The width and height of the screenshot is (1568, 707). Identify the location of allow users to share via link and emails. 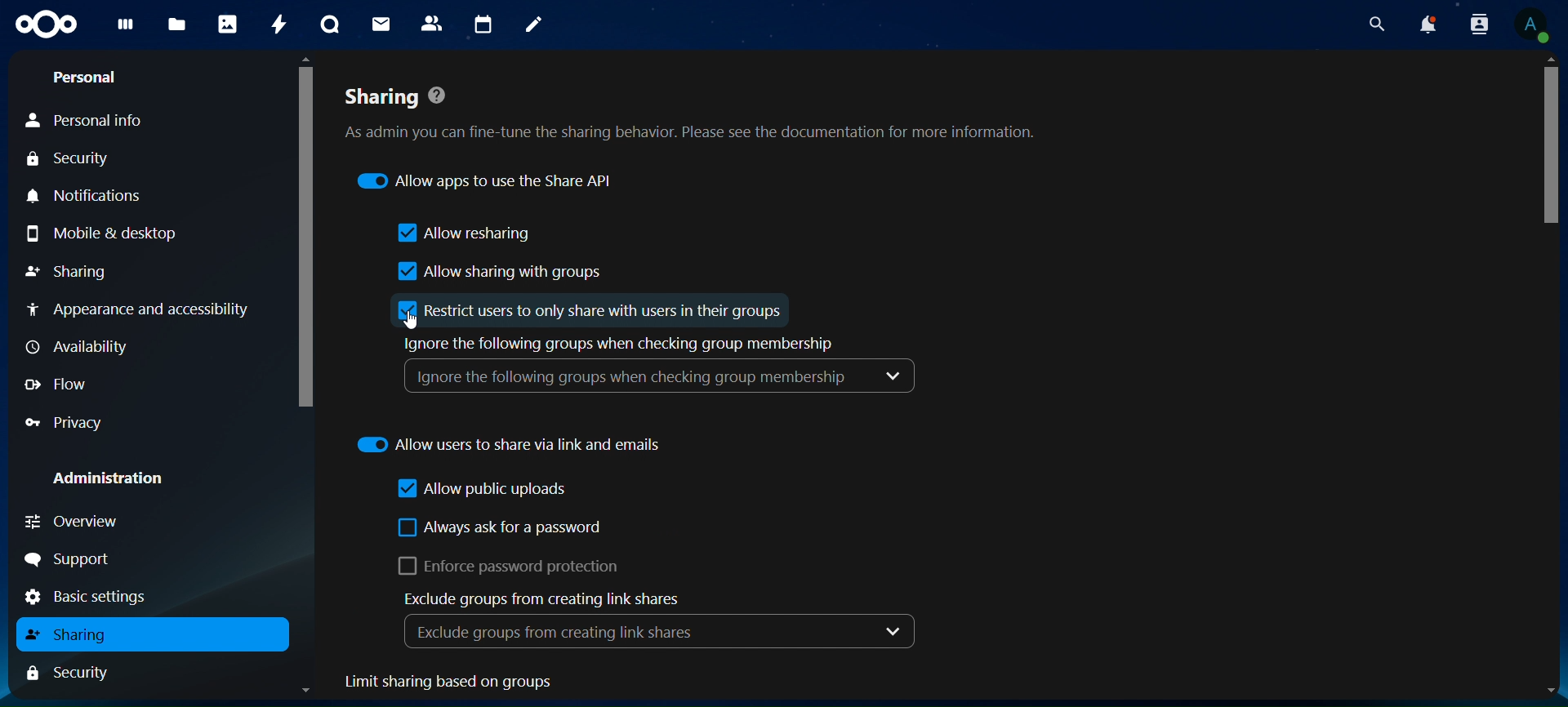
(509, 444).